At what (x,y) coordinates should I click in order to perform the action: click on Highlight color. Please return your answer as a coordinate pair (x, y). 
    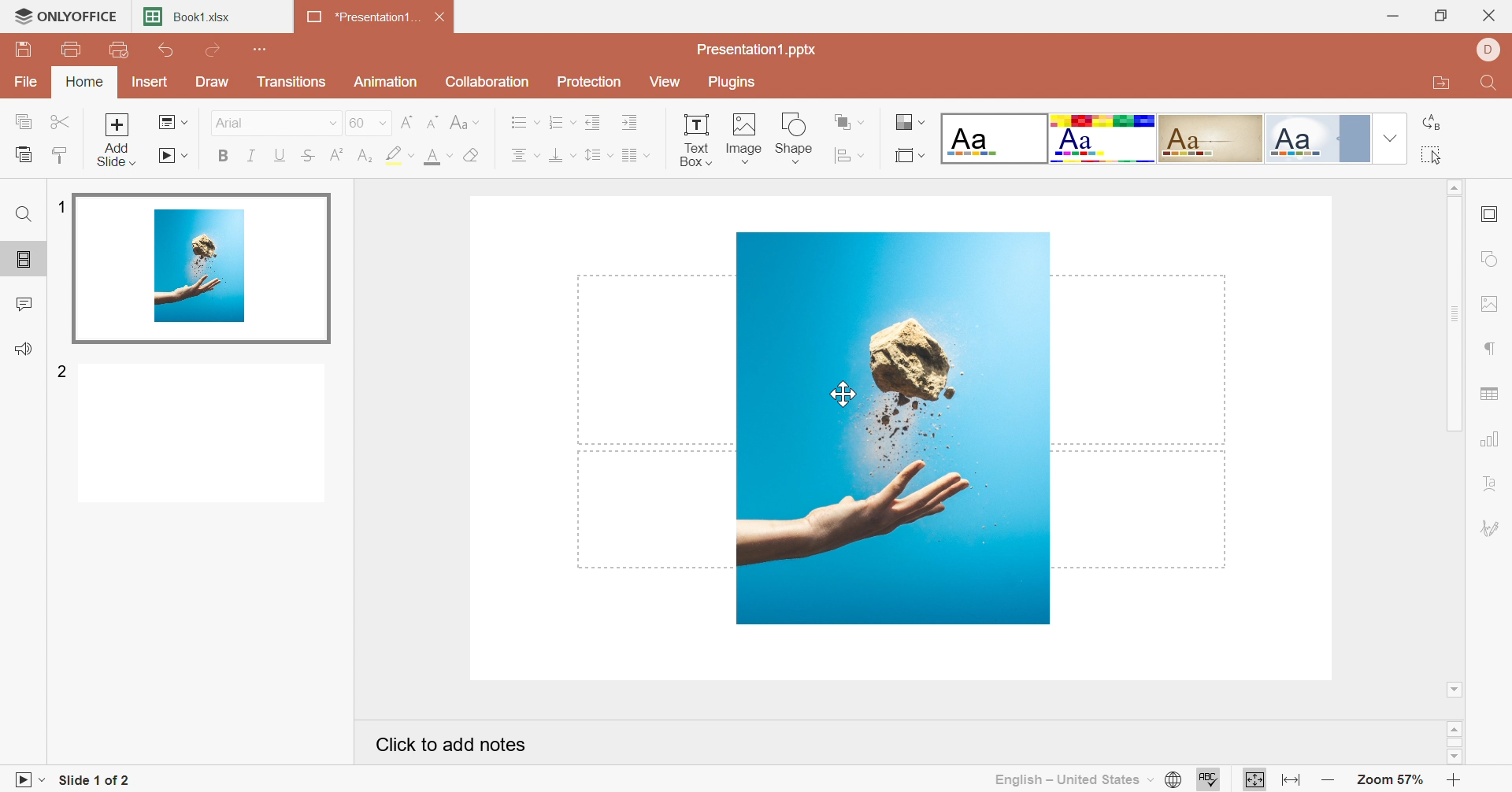
    Looking at the image, I should click on (400, 156).